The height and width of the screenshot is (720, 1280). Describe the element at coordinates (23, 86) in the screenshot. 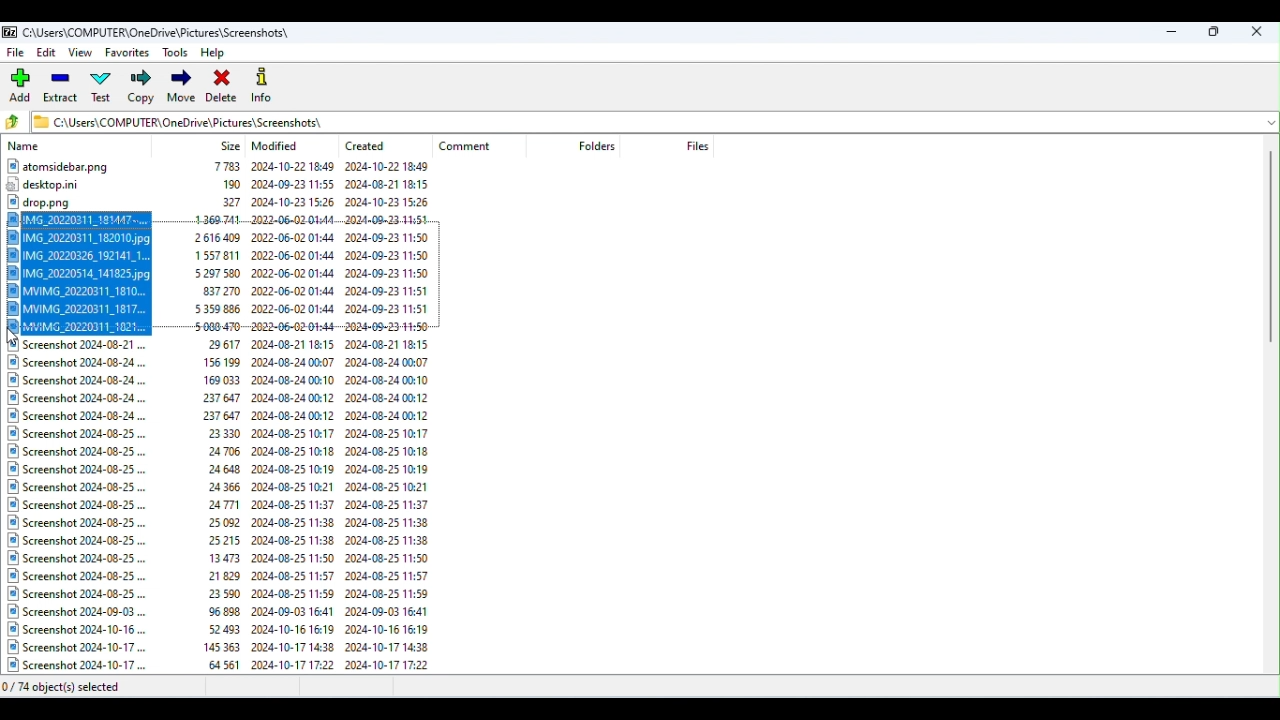

I see `Add` at that location.